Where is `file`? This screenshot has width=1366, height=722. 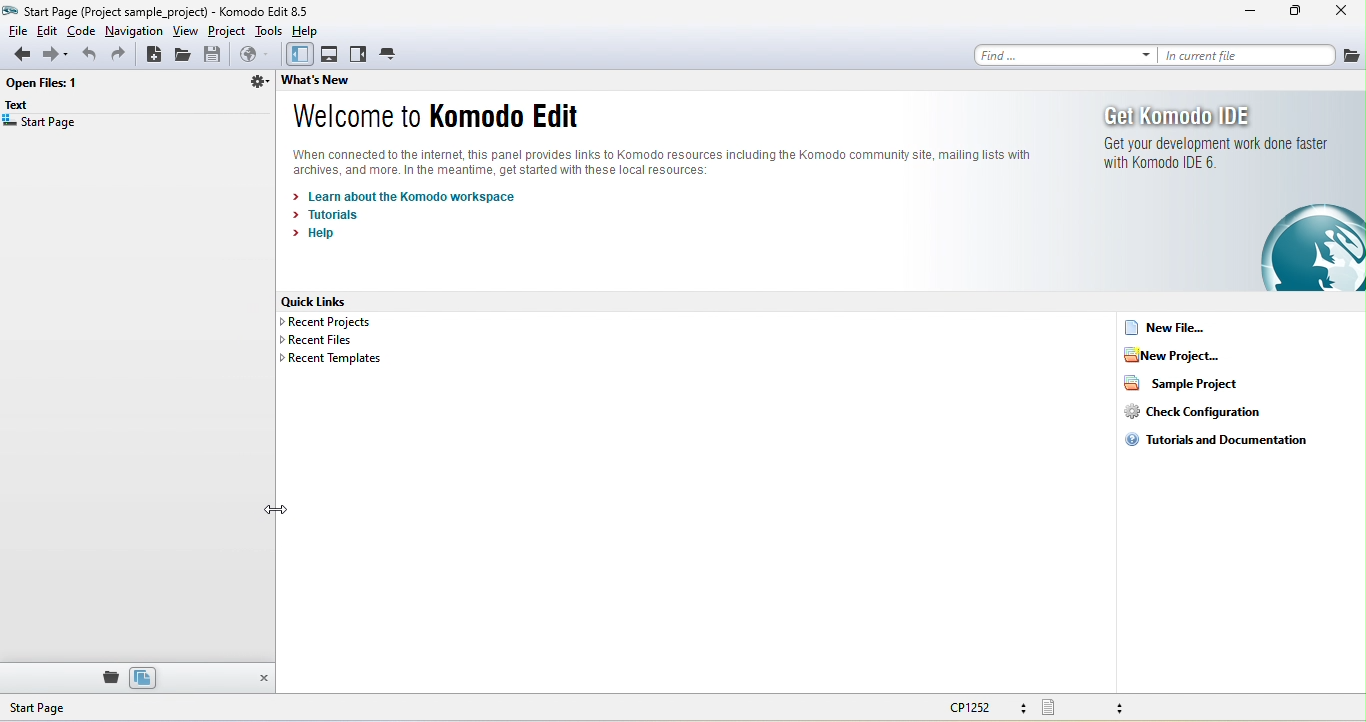
file is located at coordinates (16, 30).